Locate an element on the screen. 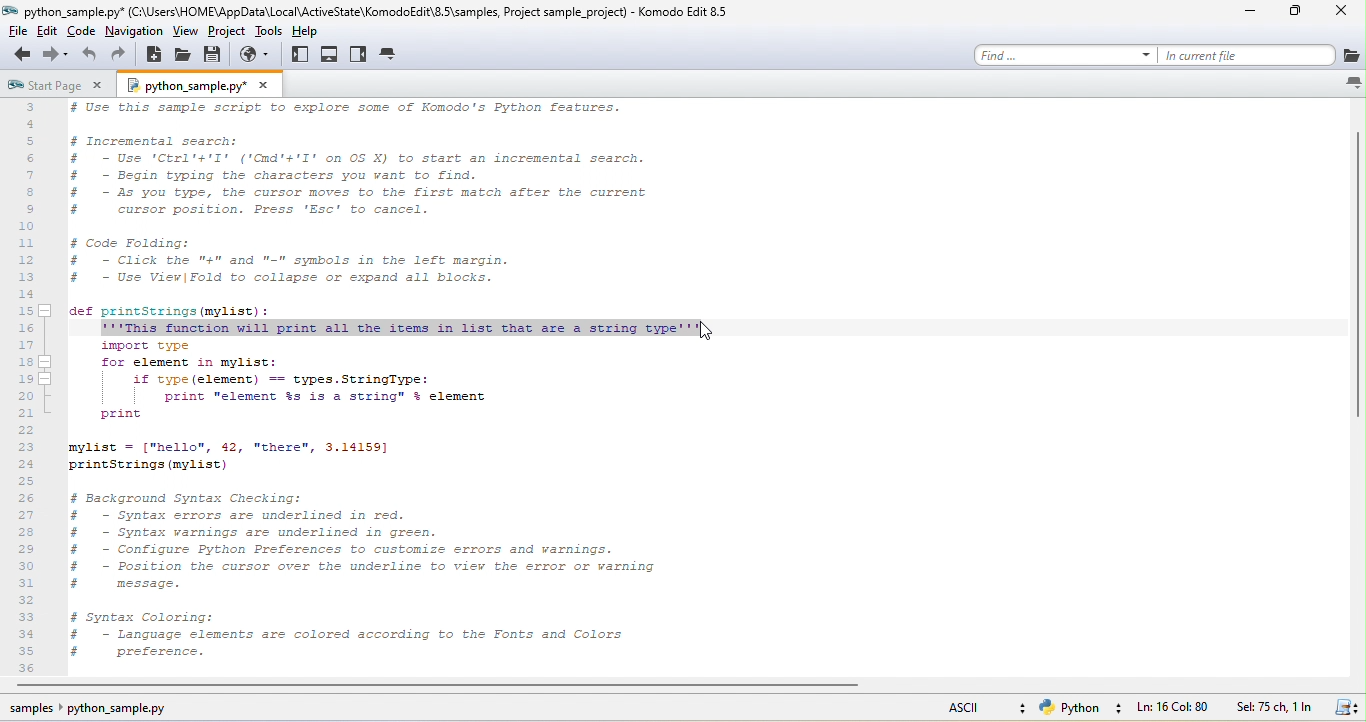 The width and height of the screenshot is (1366, 722). code is located at coordinates (83, 34).